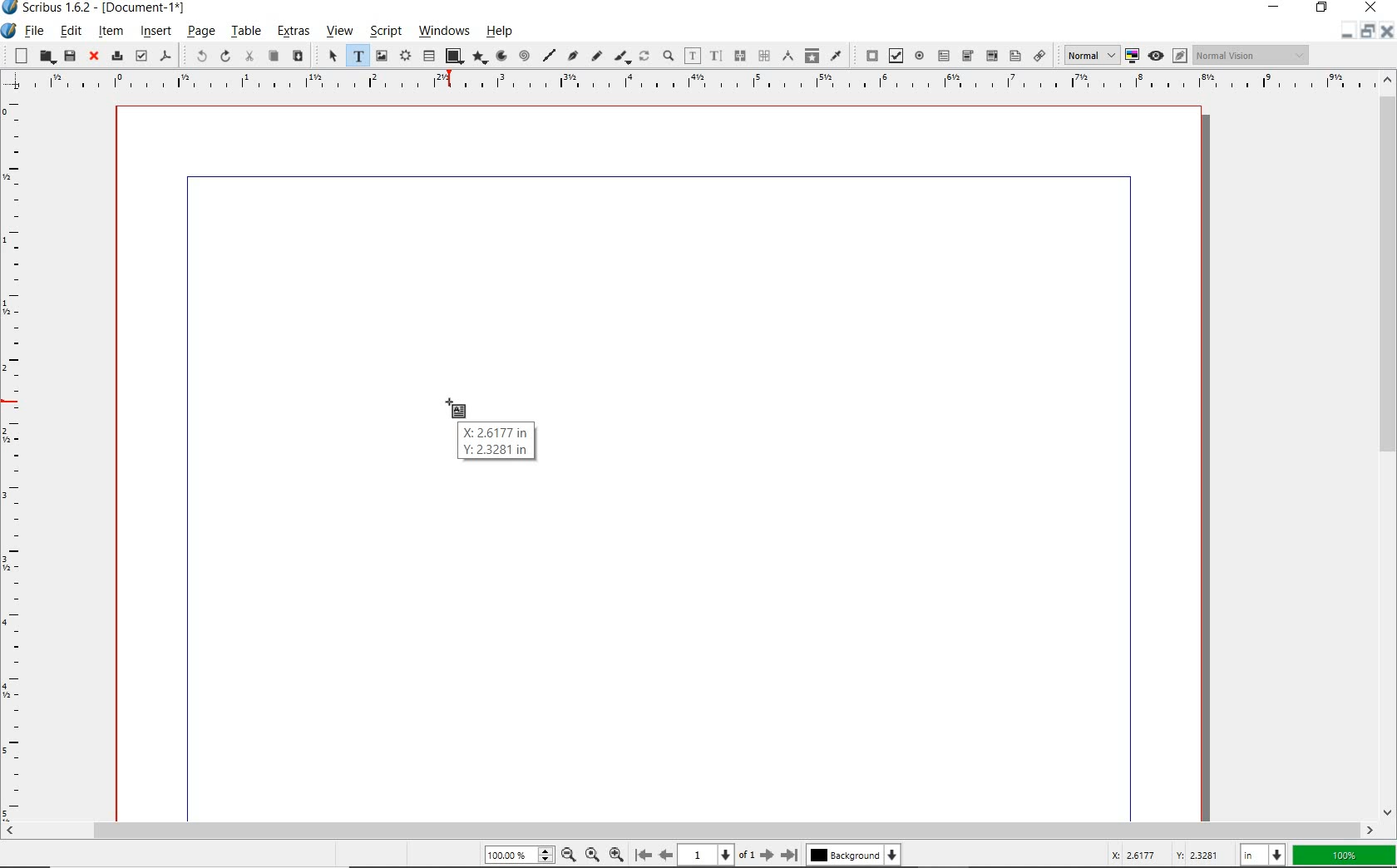 This screenshot has width=1397, height=868. What do you see at coordinates (525, 55) in the screenshot?
I see `spiral` at bounding box center [525, 55].